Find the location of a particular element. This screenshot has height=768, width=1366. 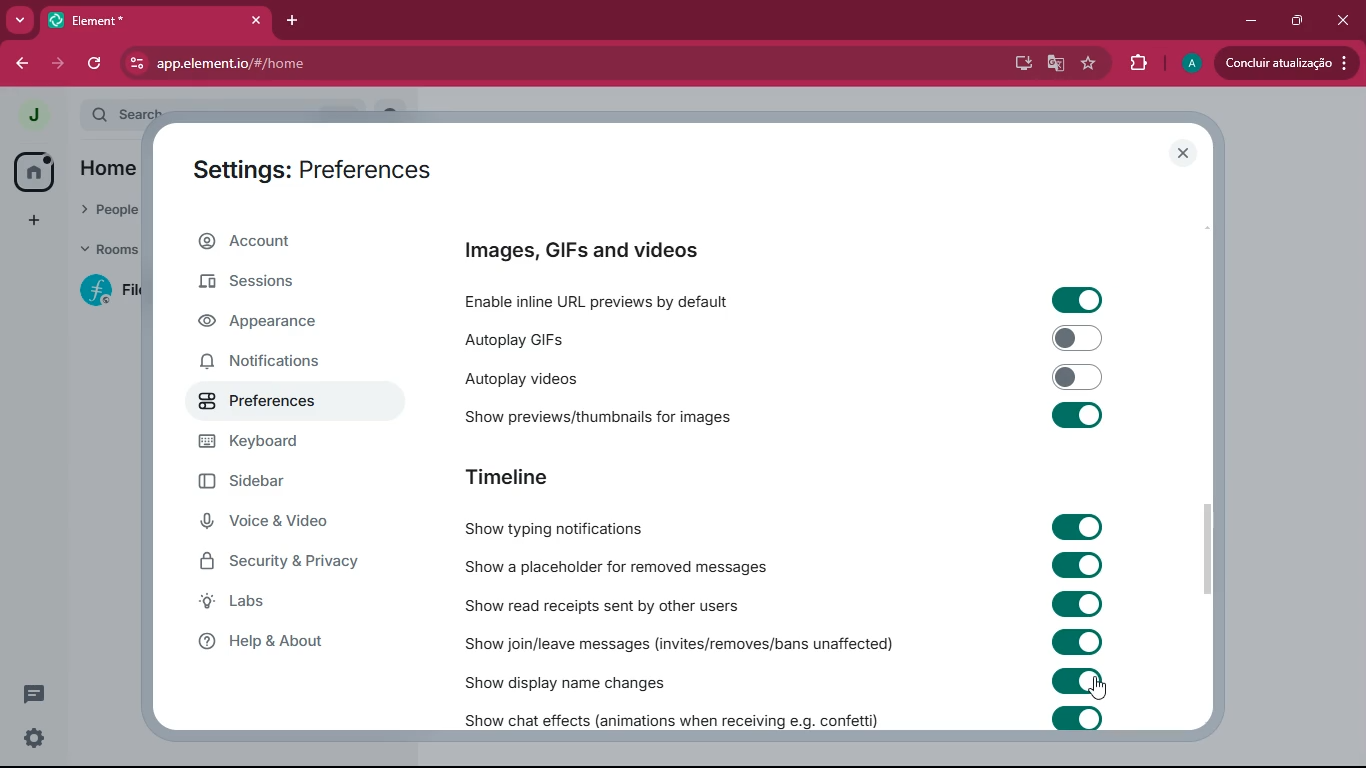

extensions is located at coordinates (1134, 64).